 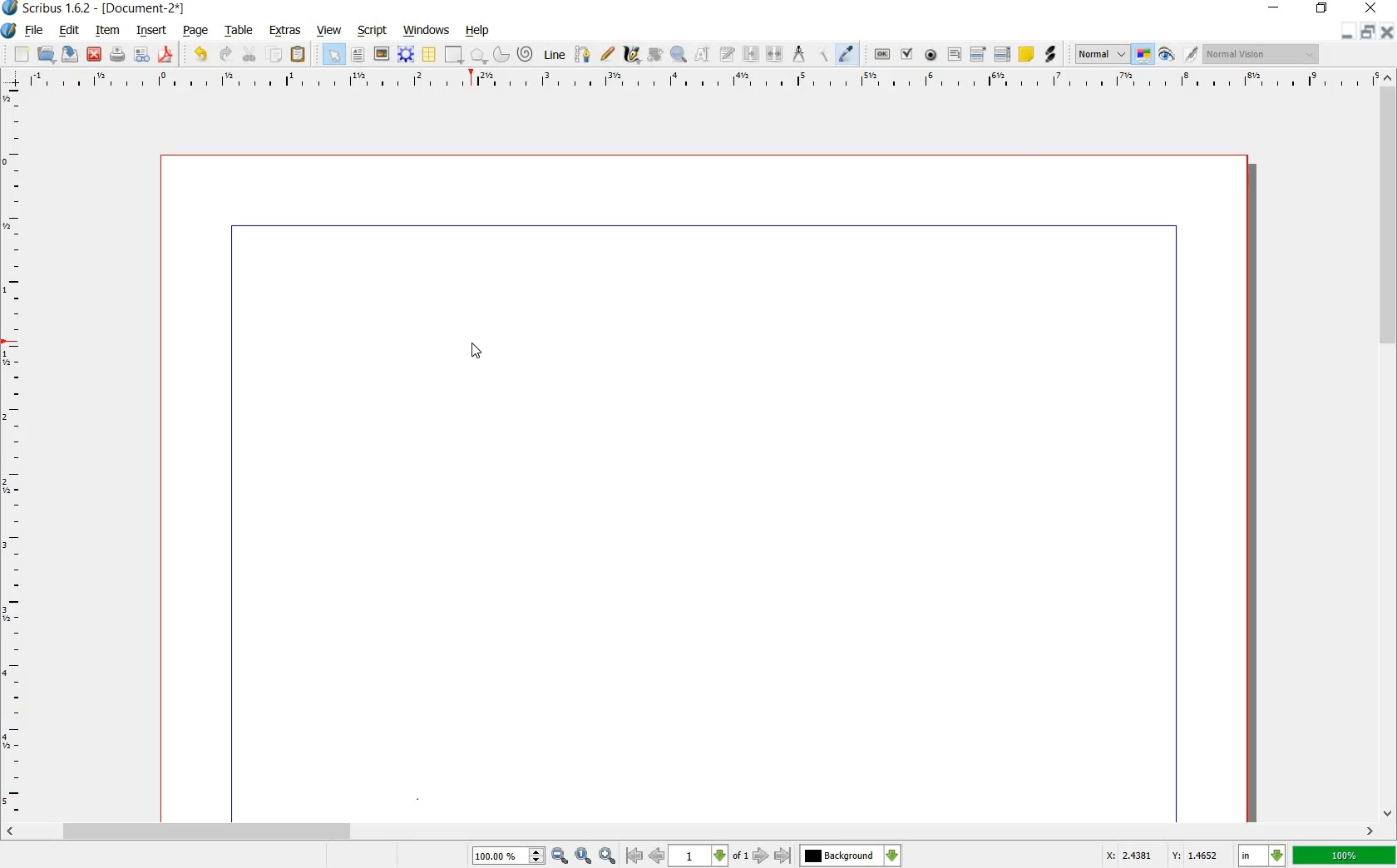 I want to click on MINIMIZE, so click(x=1350, y=32).